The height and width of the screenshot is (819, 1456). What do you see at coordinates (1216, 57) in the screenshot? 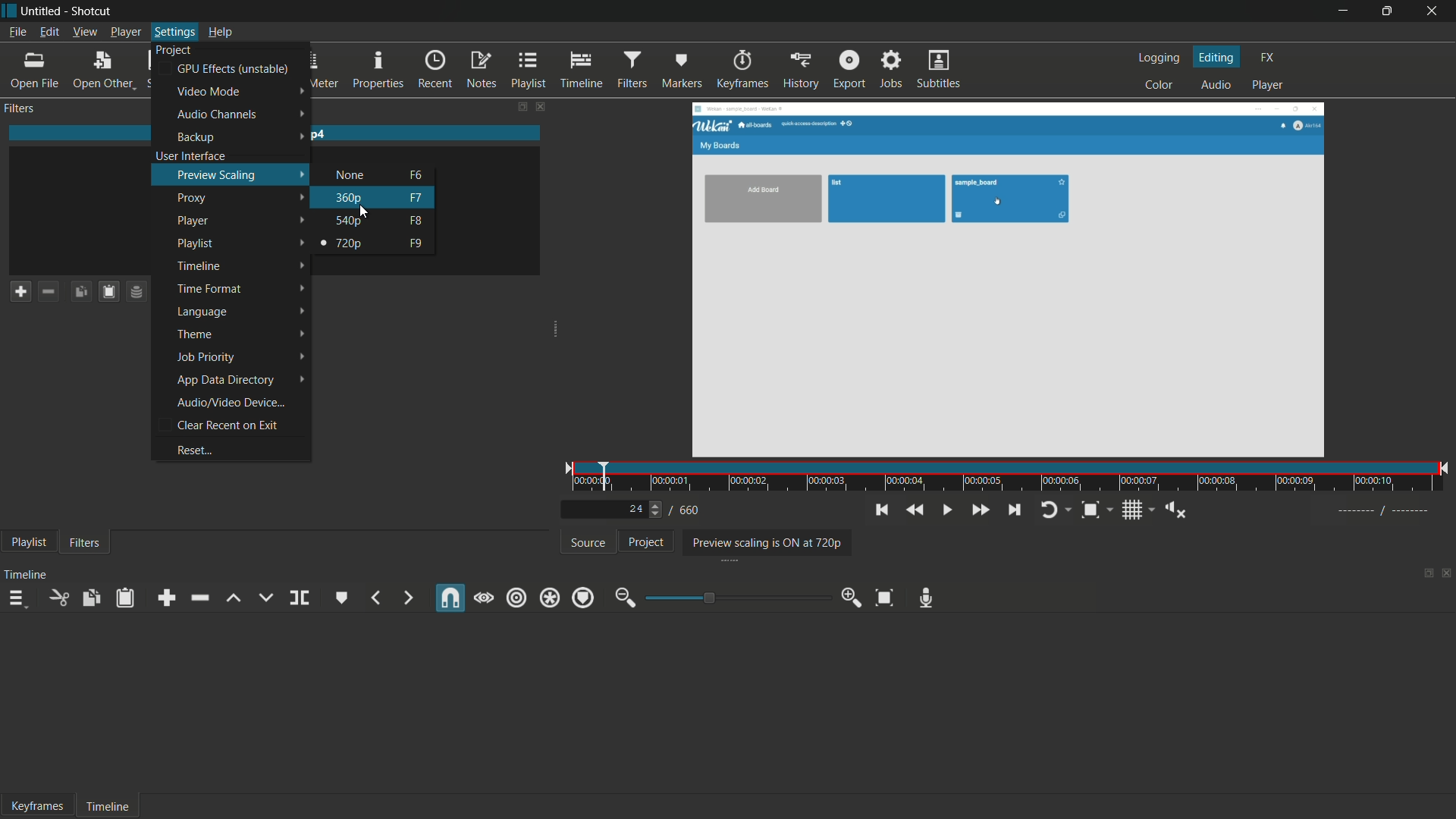
I see `editing` at bounding box center [1216, 57].